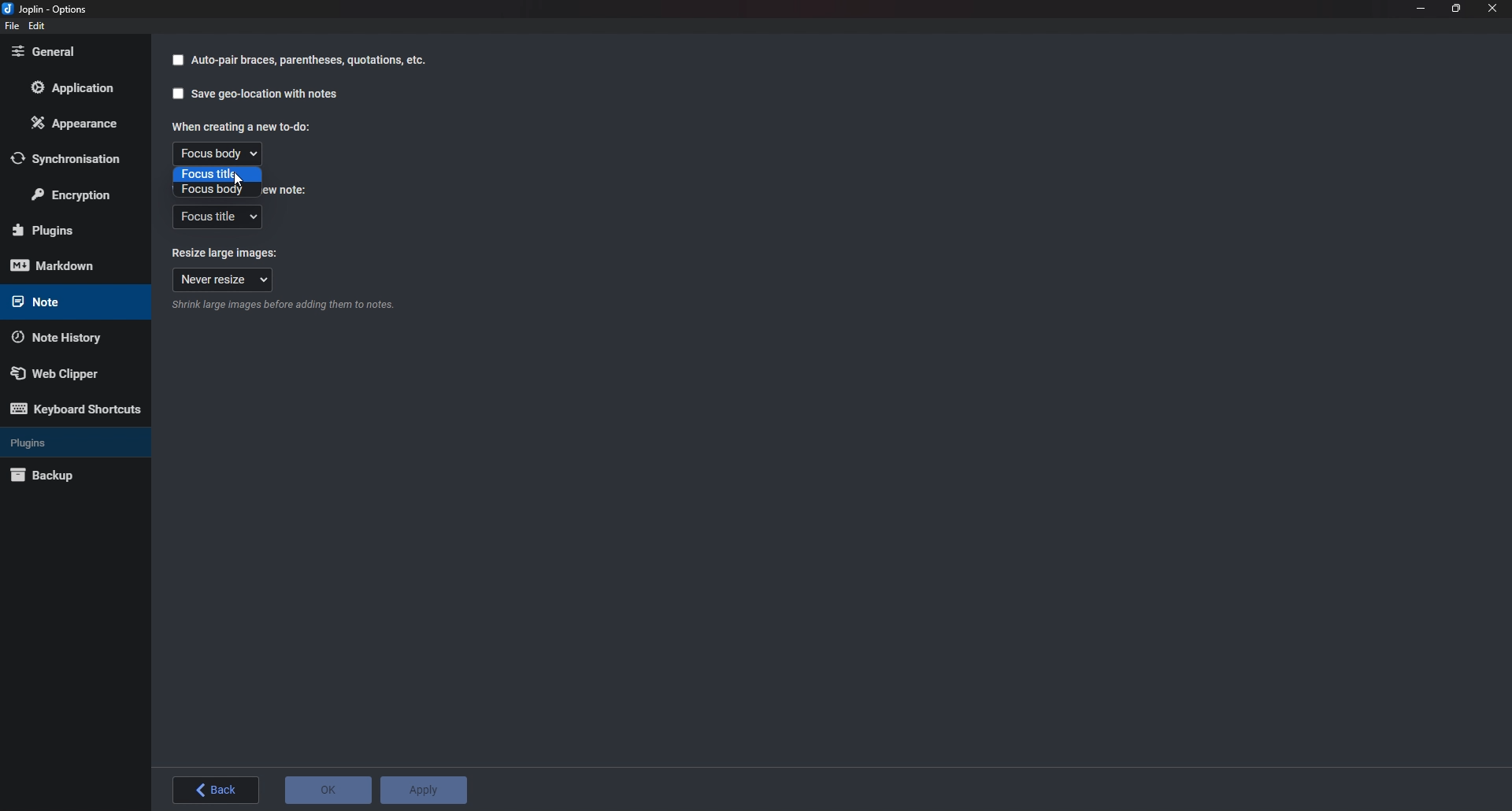 The image size is (1512, 811). Describe the element at coordinates (217, 189) in the screenshot. I see `Focus body` at that location.